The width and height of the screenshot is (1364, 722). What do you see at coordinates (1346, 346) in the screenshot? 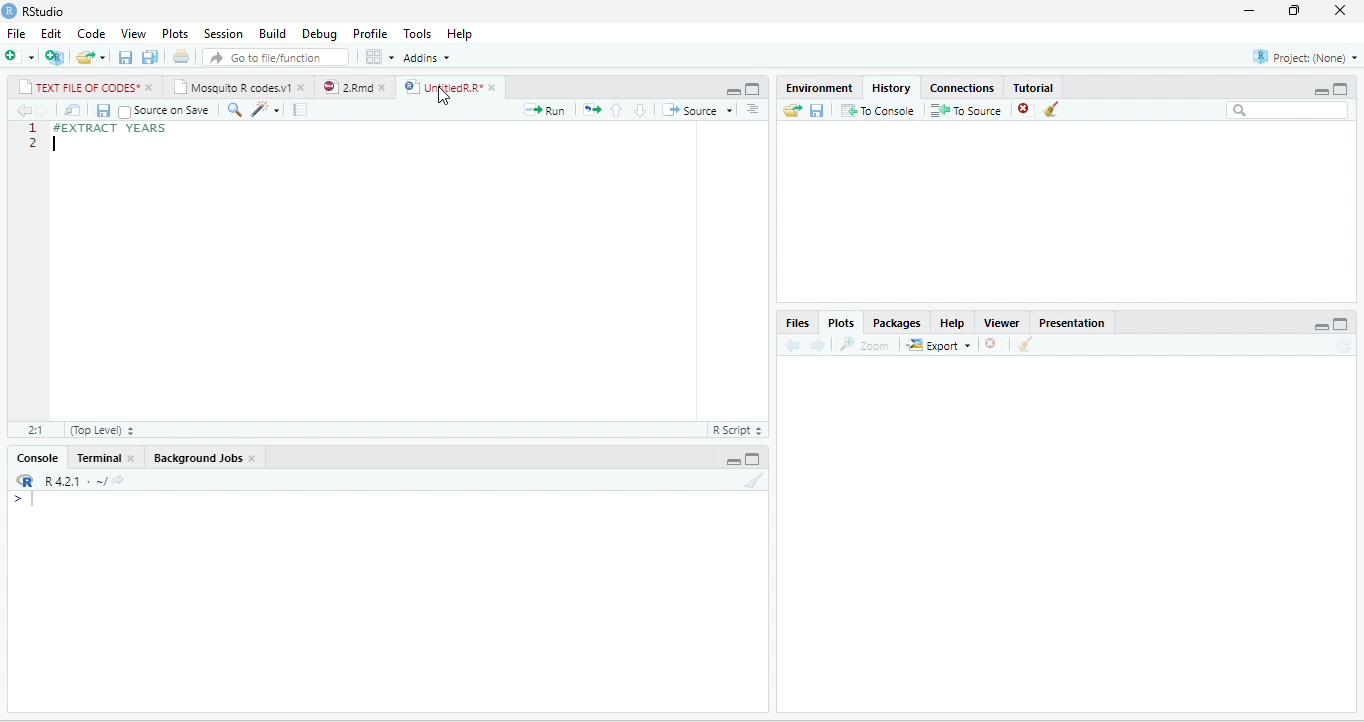
I see `refresh` at bounding box center [1346, 346].